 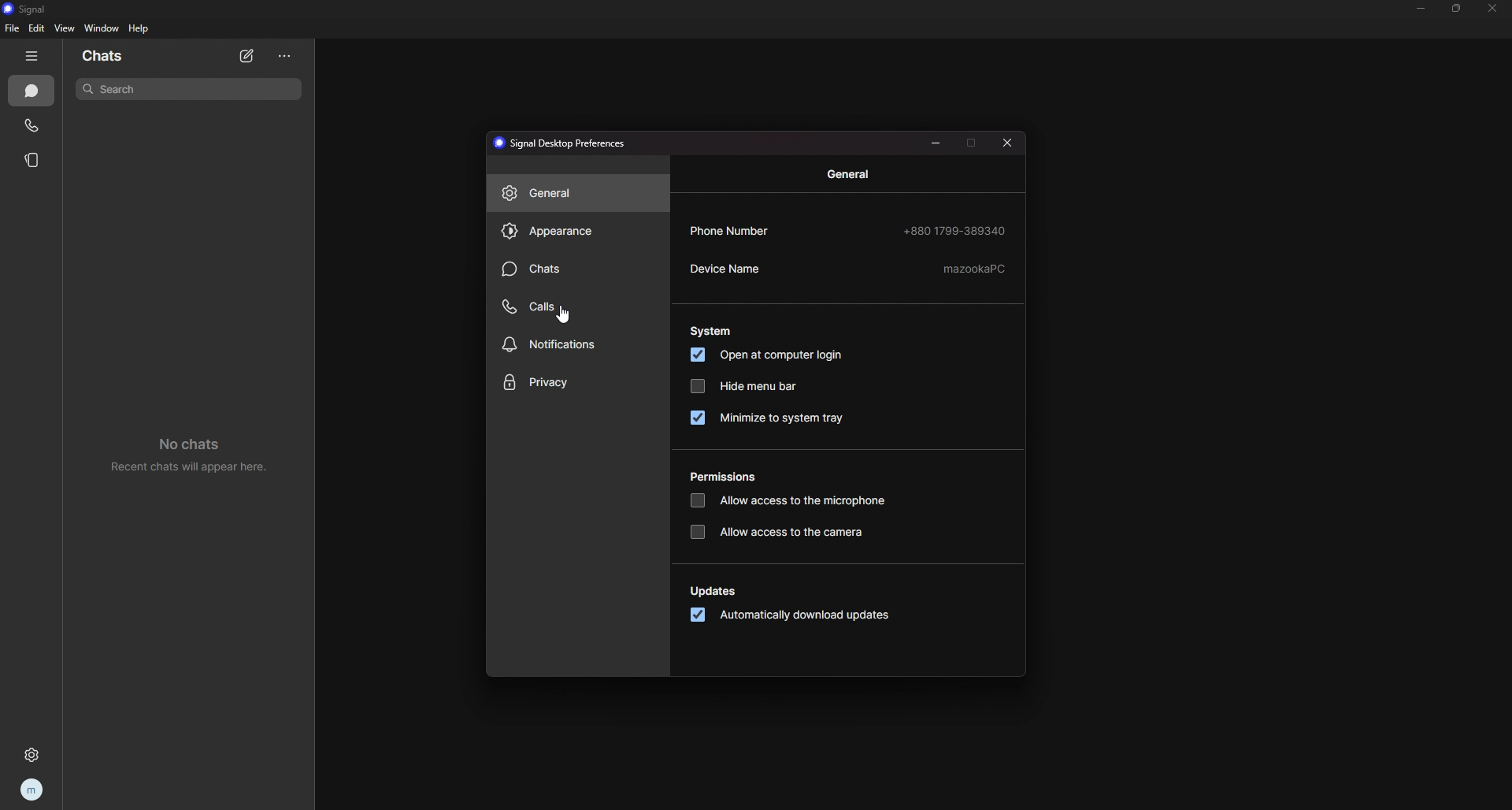 I want to click on chats, so click(x=32, y=91).